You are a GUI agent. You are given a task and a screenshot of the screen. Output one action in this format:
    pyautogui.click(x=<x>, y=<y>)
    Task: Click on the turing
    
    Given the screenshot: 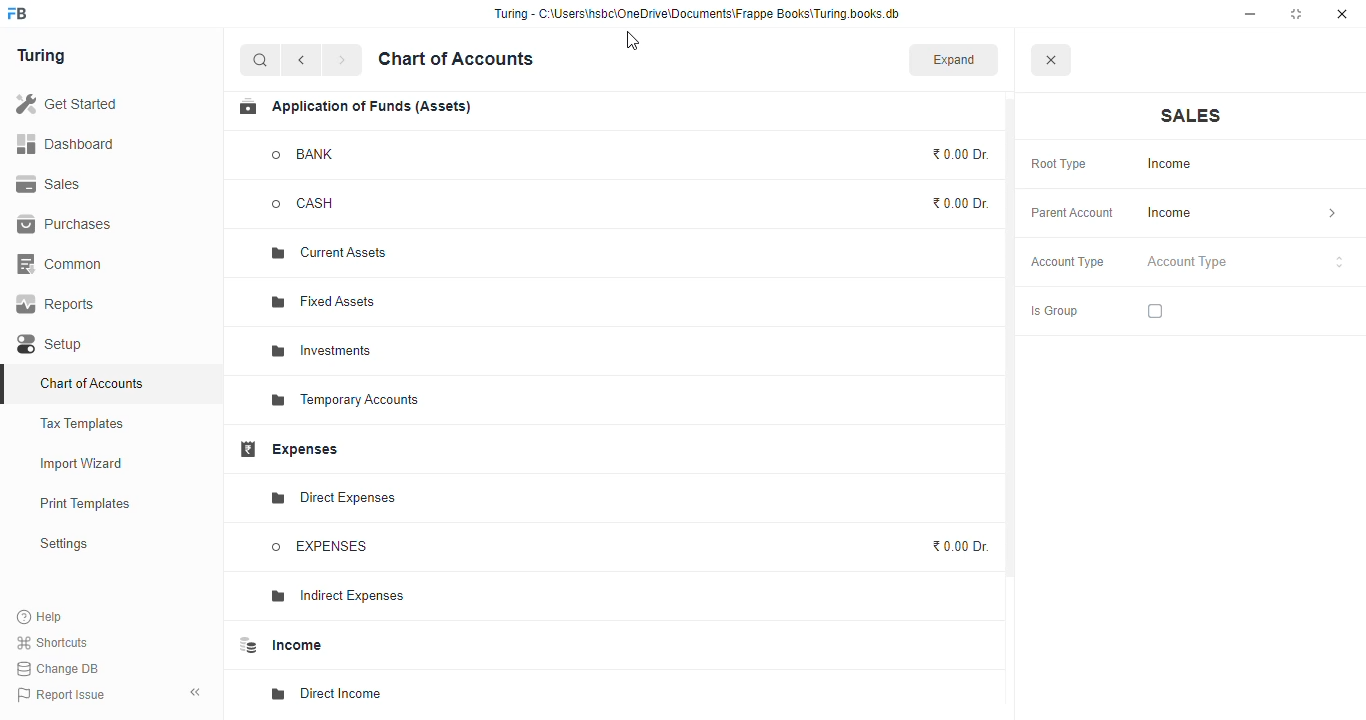 What is the action you would take?
    pyautogui.click(x=40, y=56)
    